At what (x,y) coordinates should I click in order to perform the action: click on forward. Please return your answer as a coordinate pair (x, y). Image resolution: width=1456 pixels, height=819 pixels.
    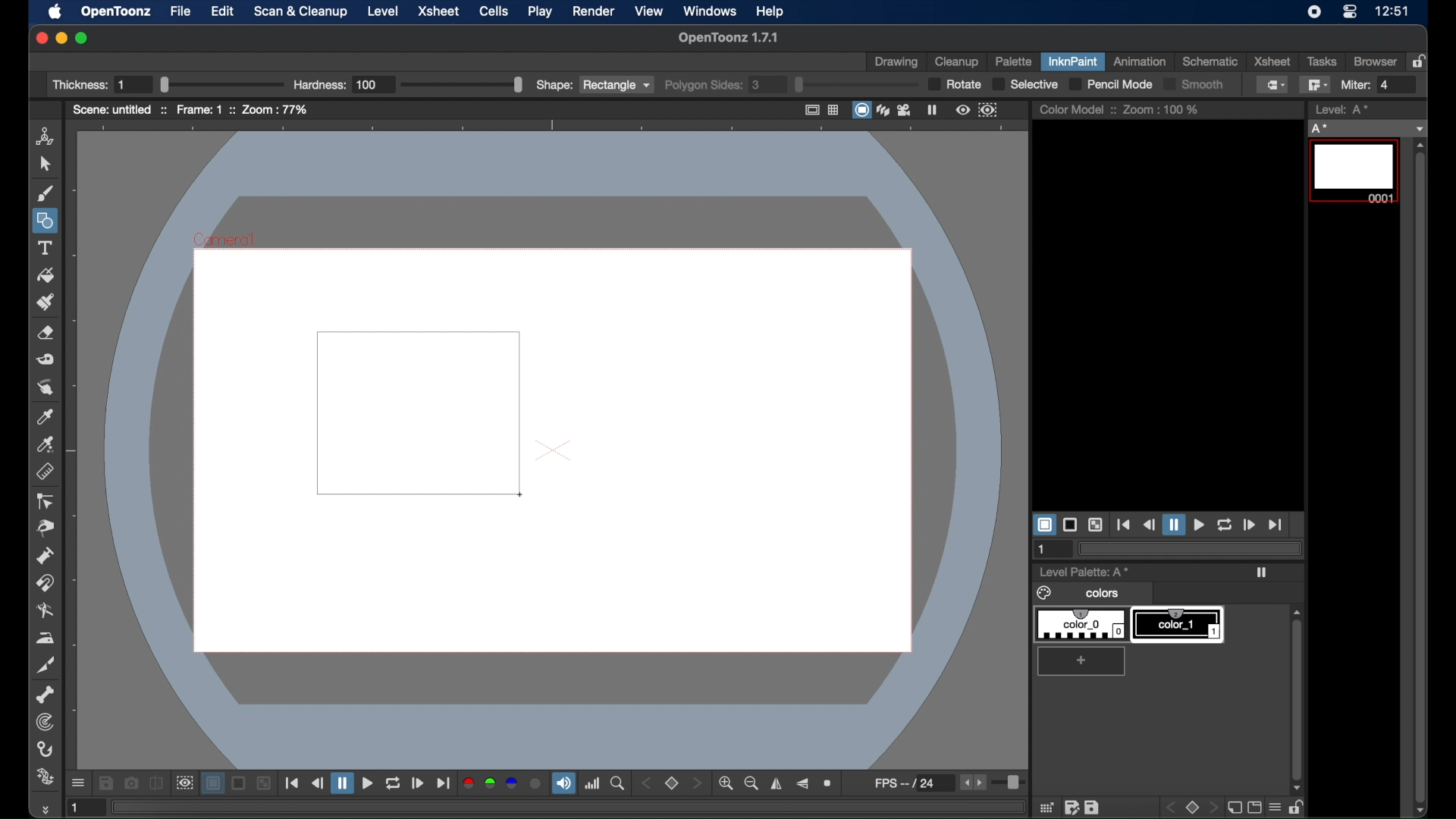
    Looking at the image, I should click on (418, 783).